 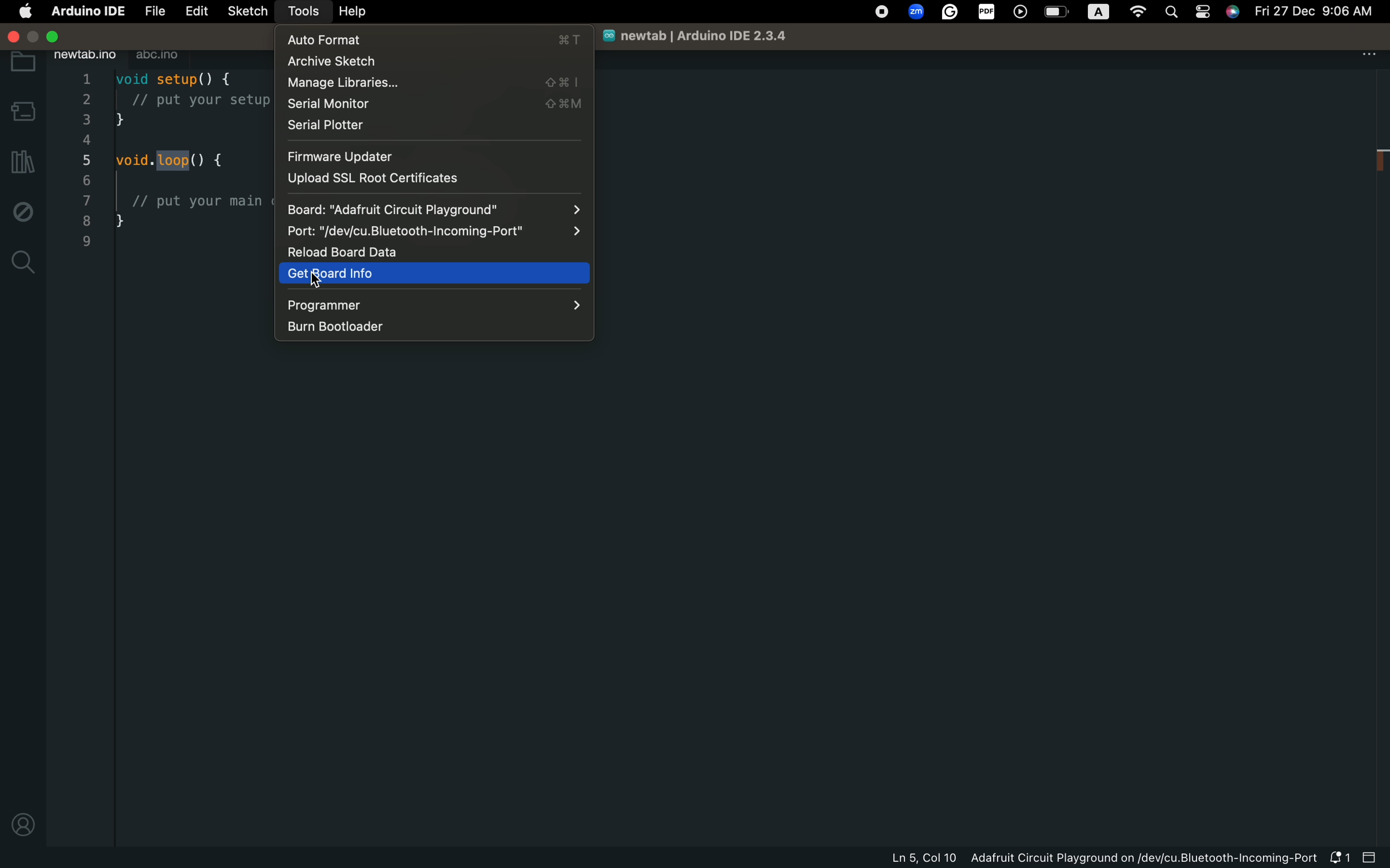 I want to click on Battery, so click(x=1059, y=13).